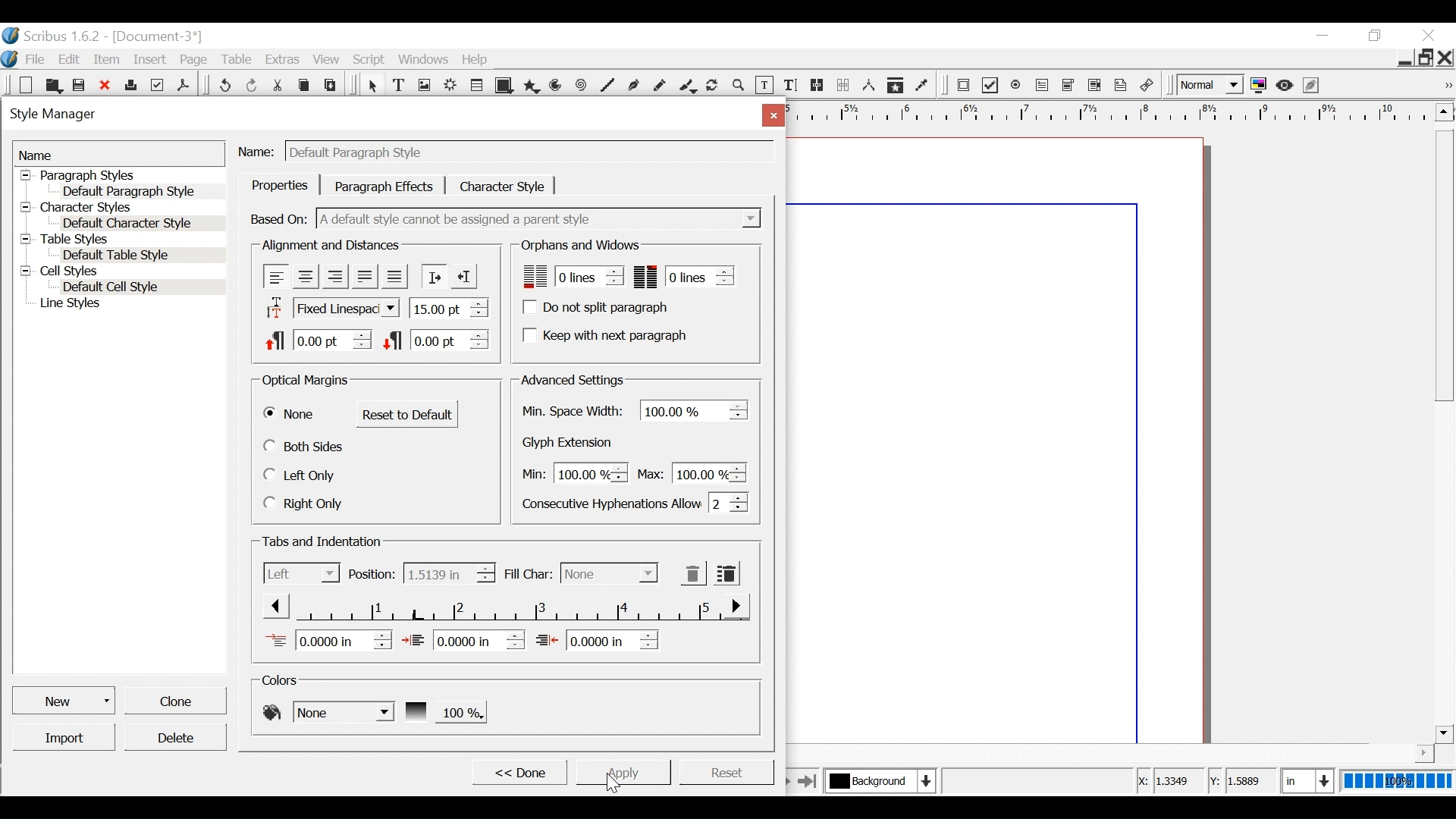 The image size is (1456, 819). Describe the element at coordinates (281, 59) in the screenshot. I see `Extras` at that location.